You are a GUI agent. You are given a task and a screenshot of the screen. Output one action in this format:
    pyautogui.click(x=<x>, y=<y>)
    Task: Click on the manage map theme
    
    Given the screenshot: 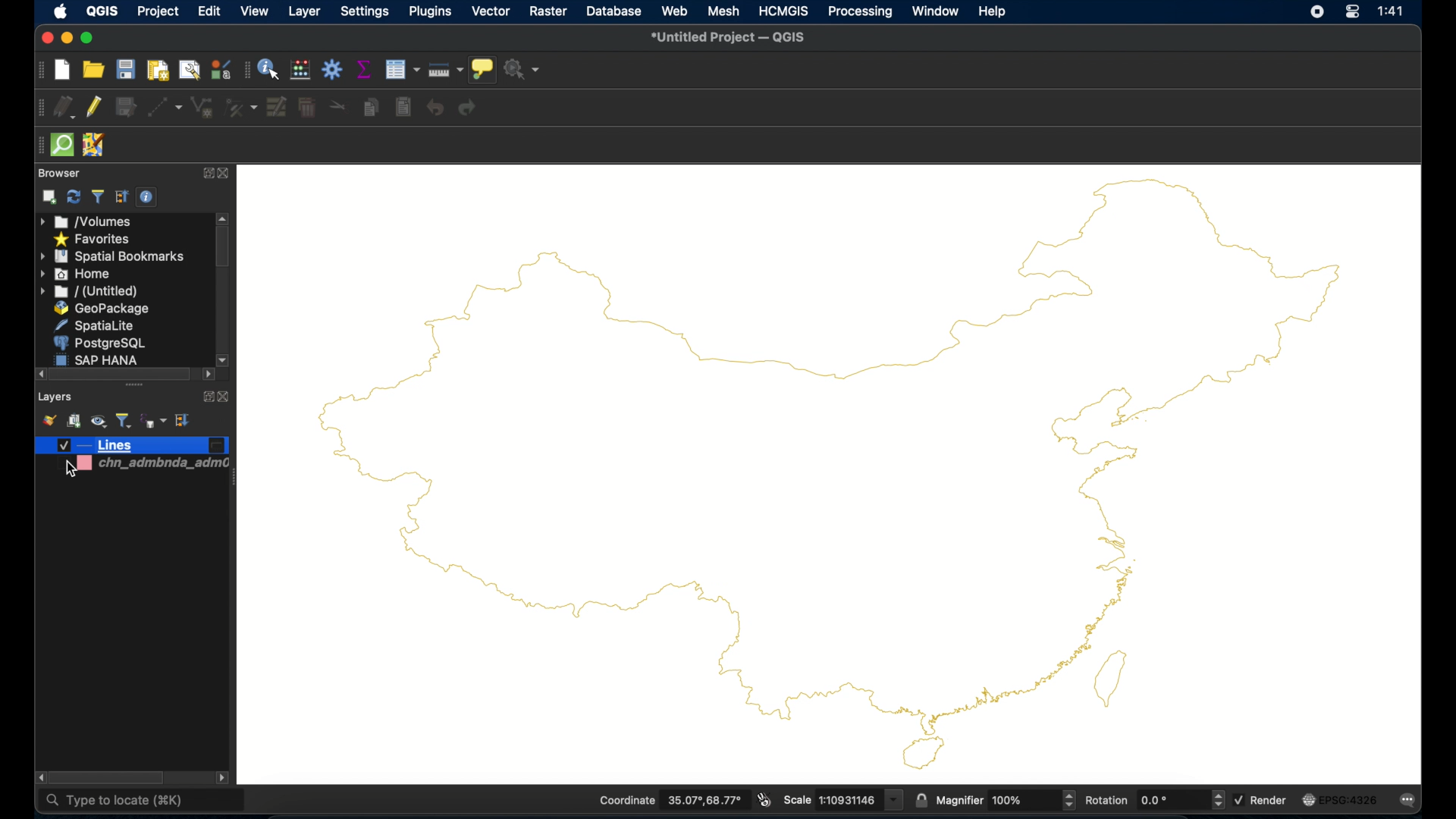 What is the action you would take?
    pyautogui.click(x=99, y=421)
    